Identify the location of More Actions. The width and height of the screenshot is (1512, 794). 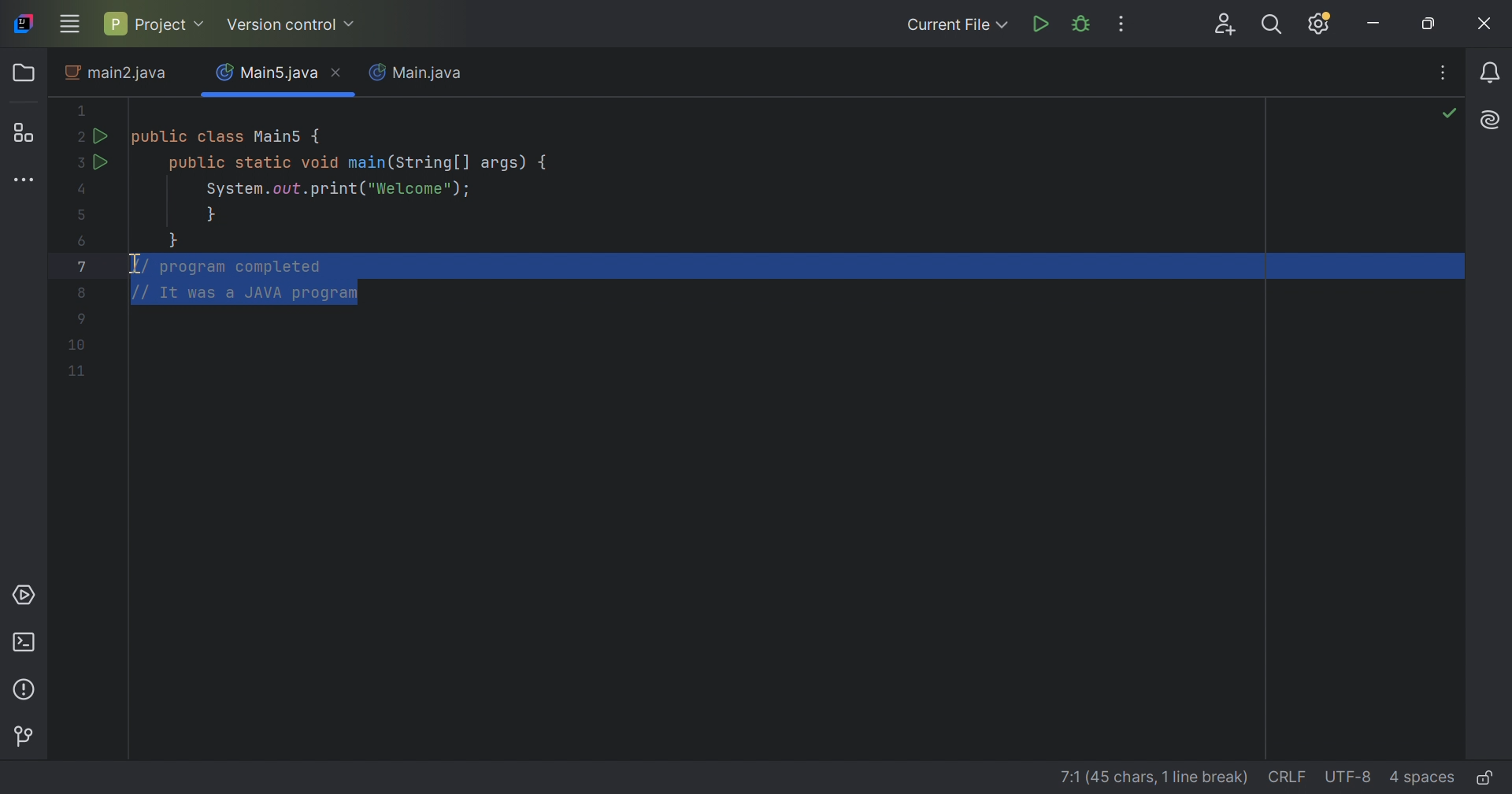
(1123, 24).